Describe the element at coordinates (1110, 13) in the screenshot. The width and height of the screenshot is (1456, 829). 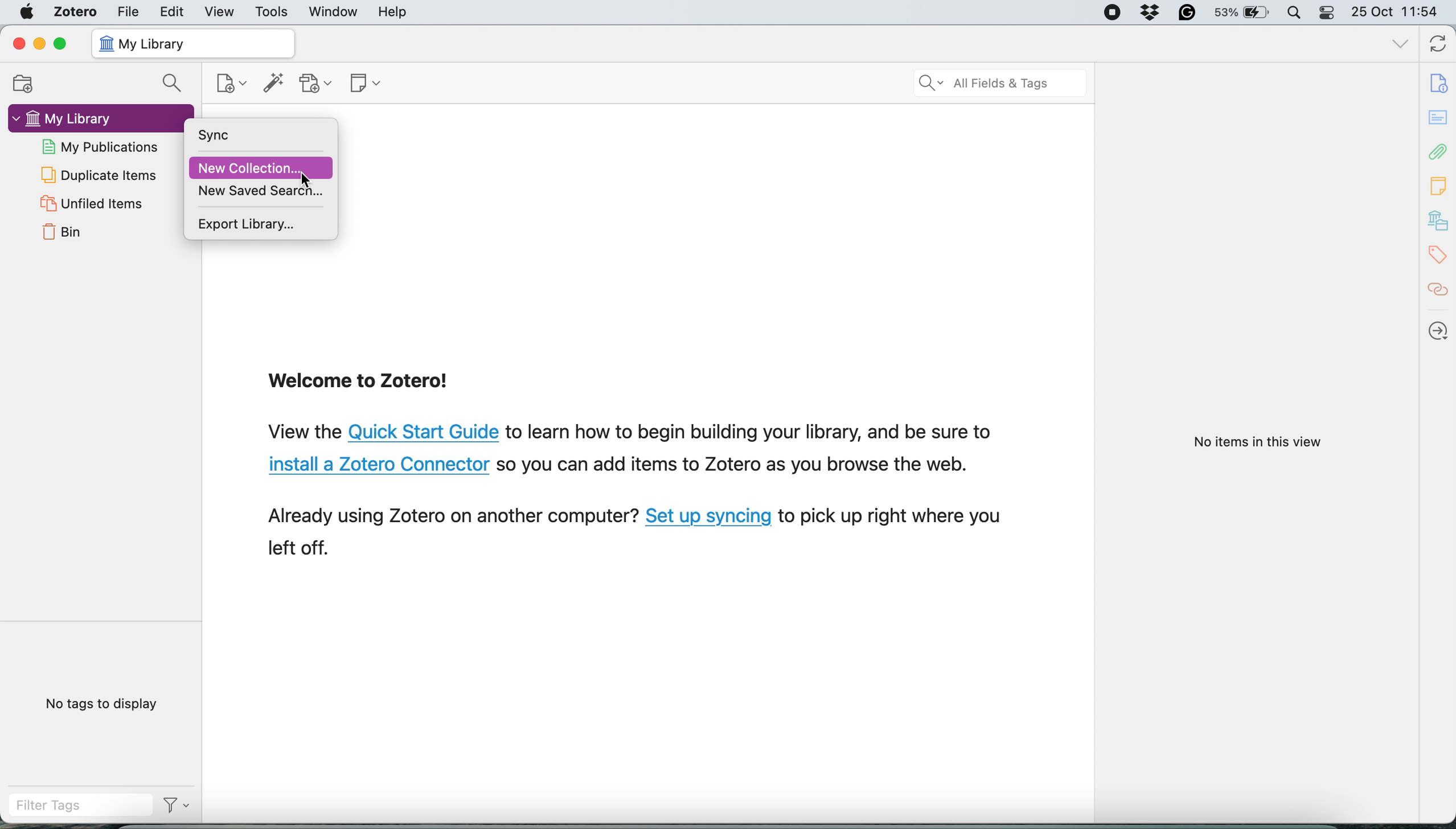
I see `screen recorder` at that location.